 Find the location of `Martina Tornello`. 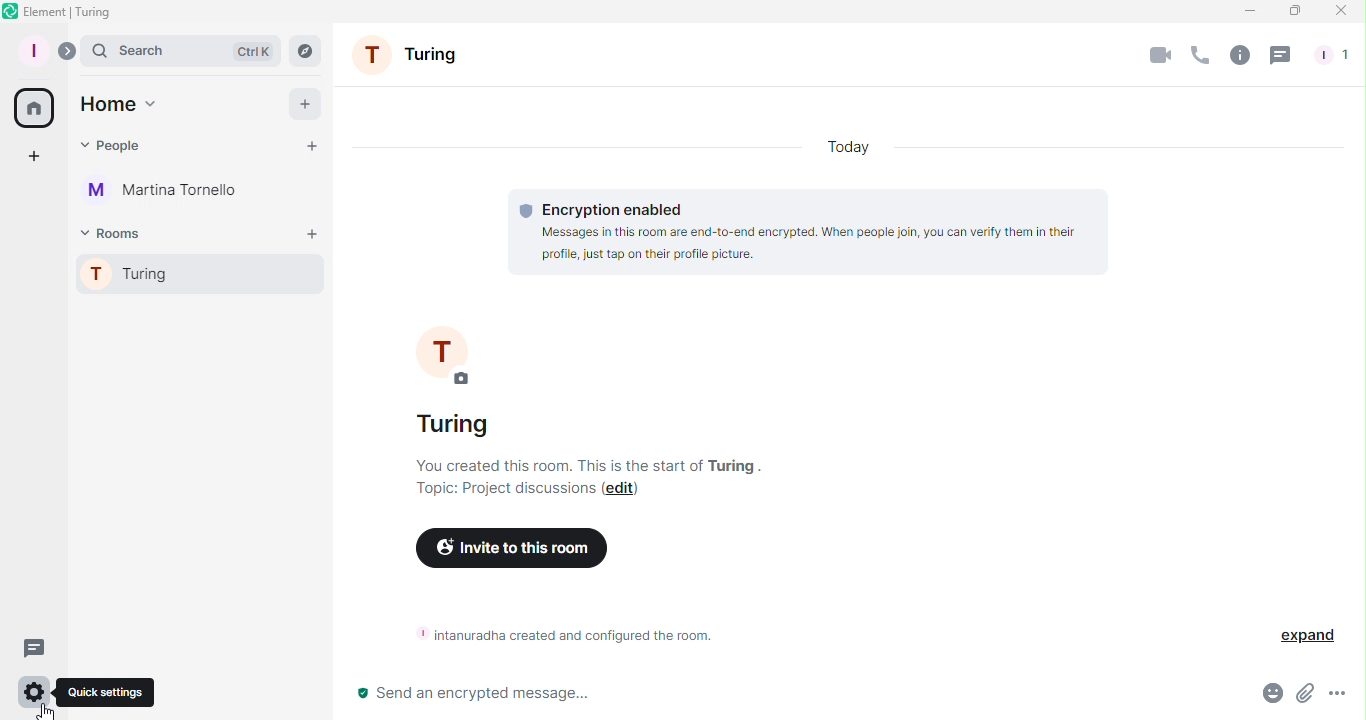

Martina Tornello is located at coordinates (161, 192).